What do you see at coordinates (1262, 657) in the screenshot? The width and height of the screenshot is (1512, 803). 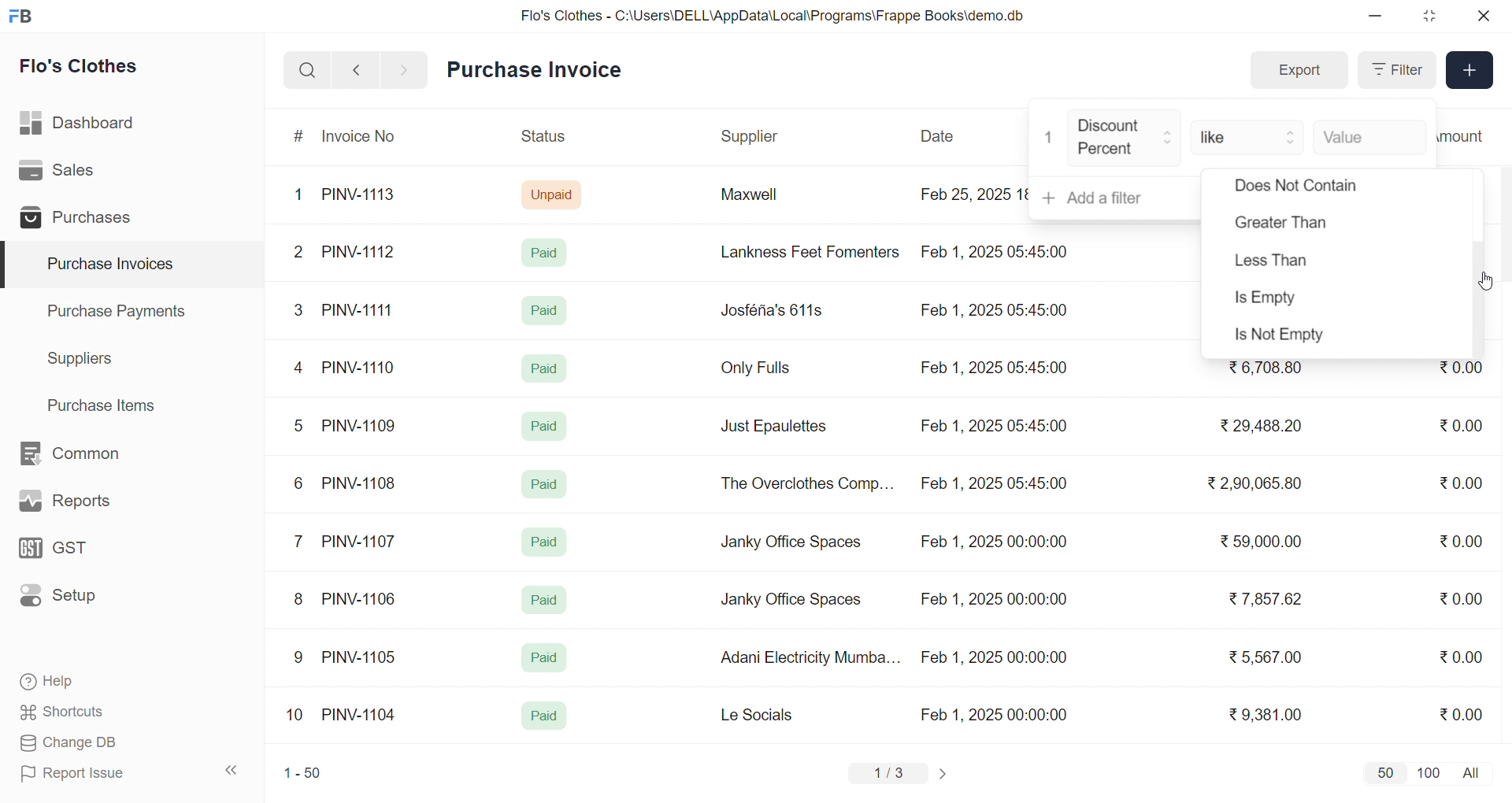 I see `₹ 5,567.00` at bounding box center [1262, 657].